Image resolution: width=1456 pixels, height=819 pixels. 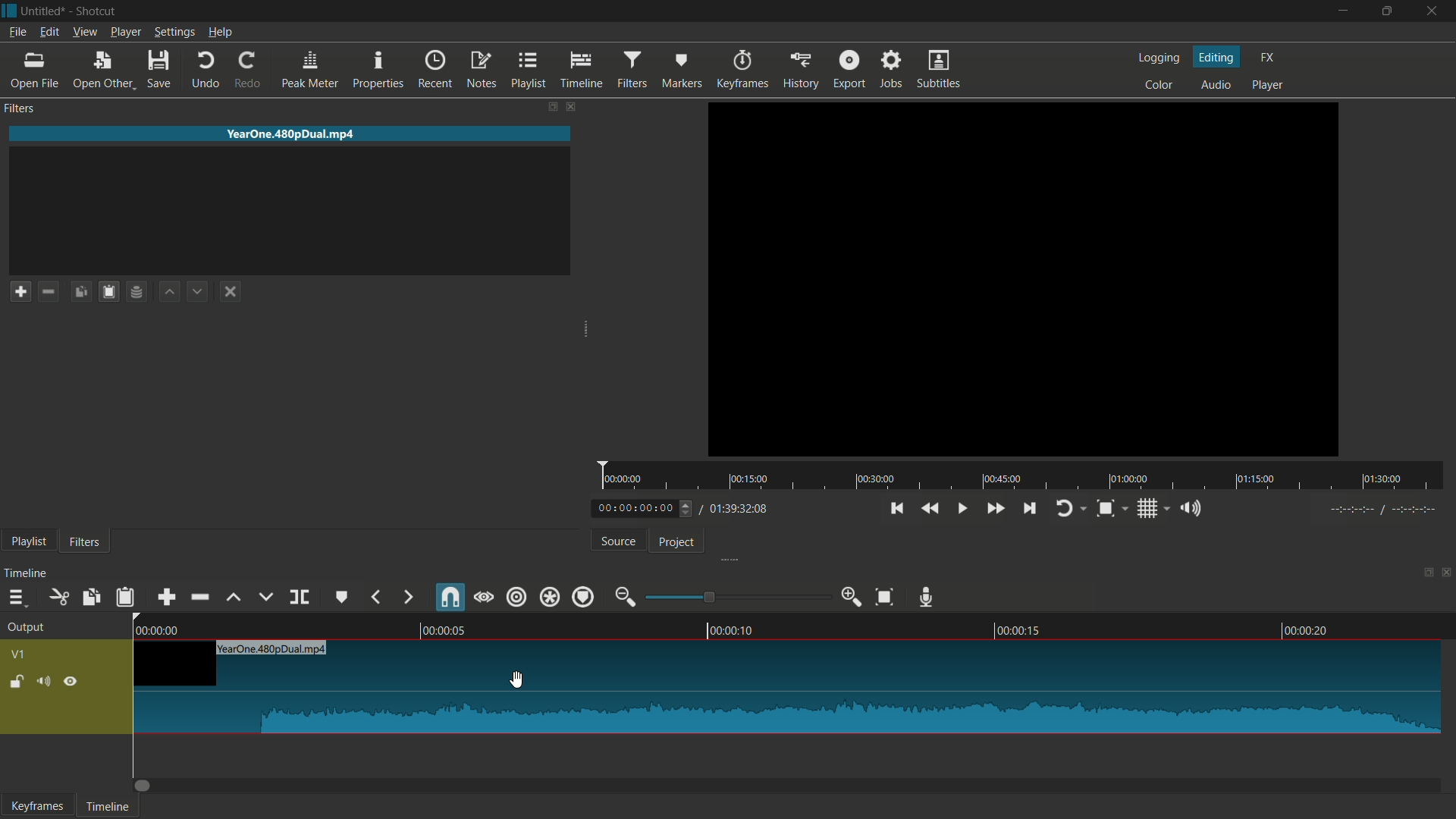 What do you see at coordinates (289, 134) in the screenshot?
I see `imported file name` at bounding box center [289, 134].